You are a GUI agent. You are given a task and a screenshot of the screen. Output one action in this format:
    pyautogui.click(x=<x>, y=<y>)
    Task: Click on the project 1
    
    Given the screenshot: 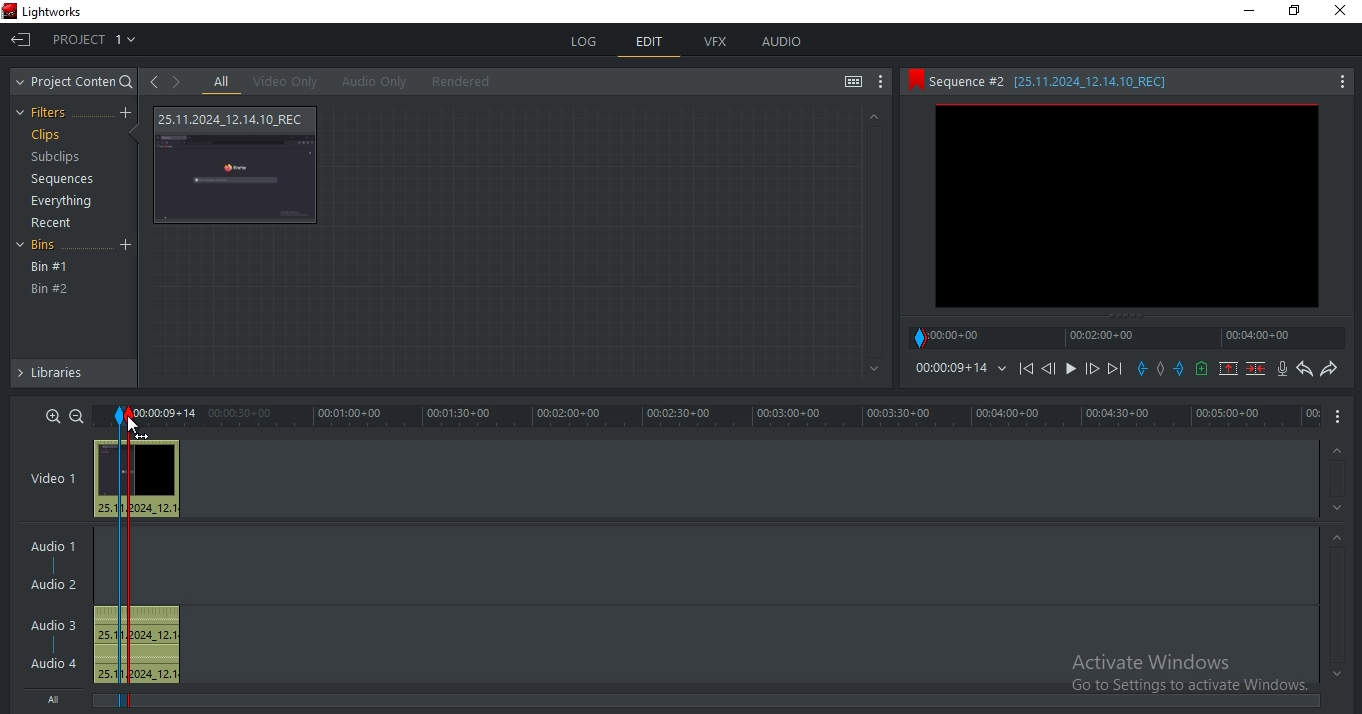 What is the action you would take?
    pyautogui.click(x=96, y=37)
    